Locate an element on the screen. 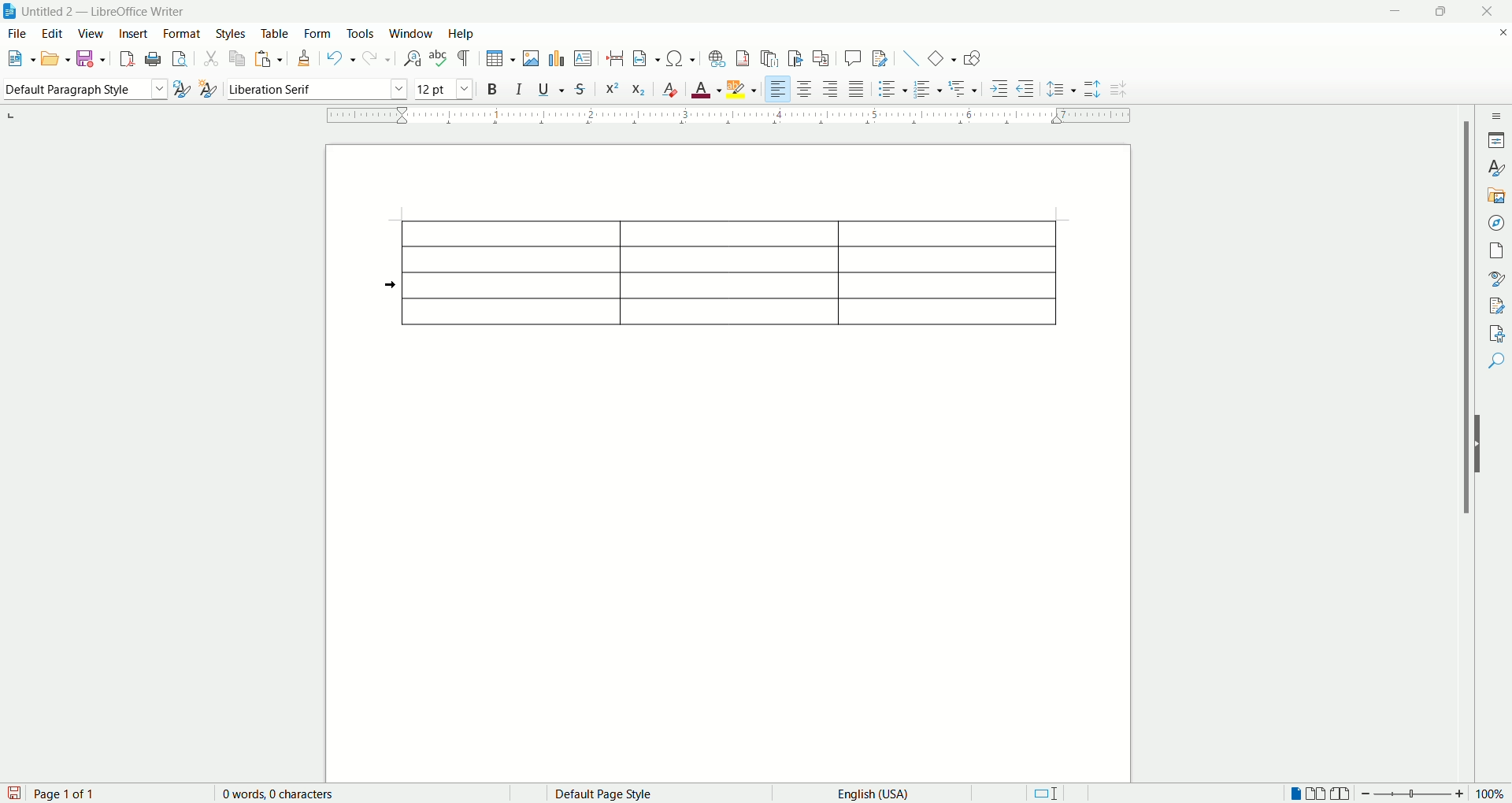  spelling is located at coordinates (437, 60).